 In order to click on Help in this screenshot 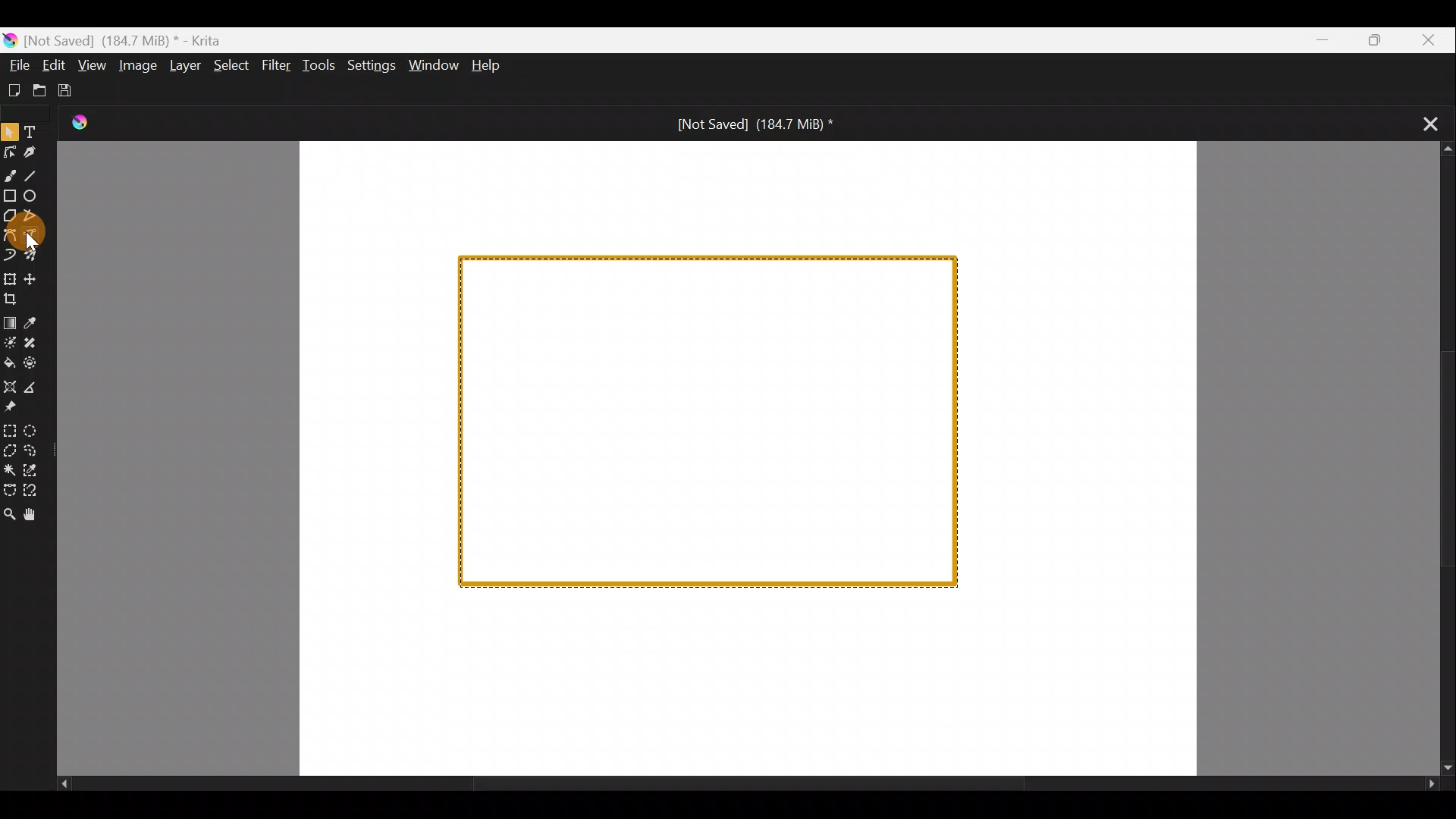, I will do `click(495, 64)`.